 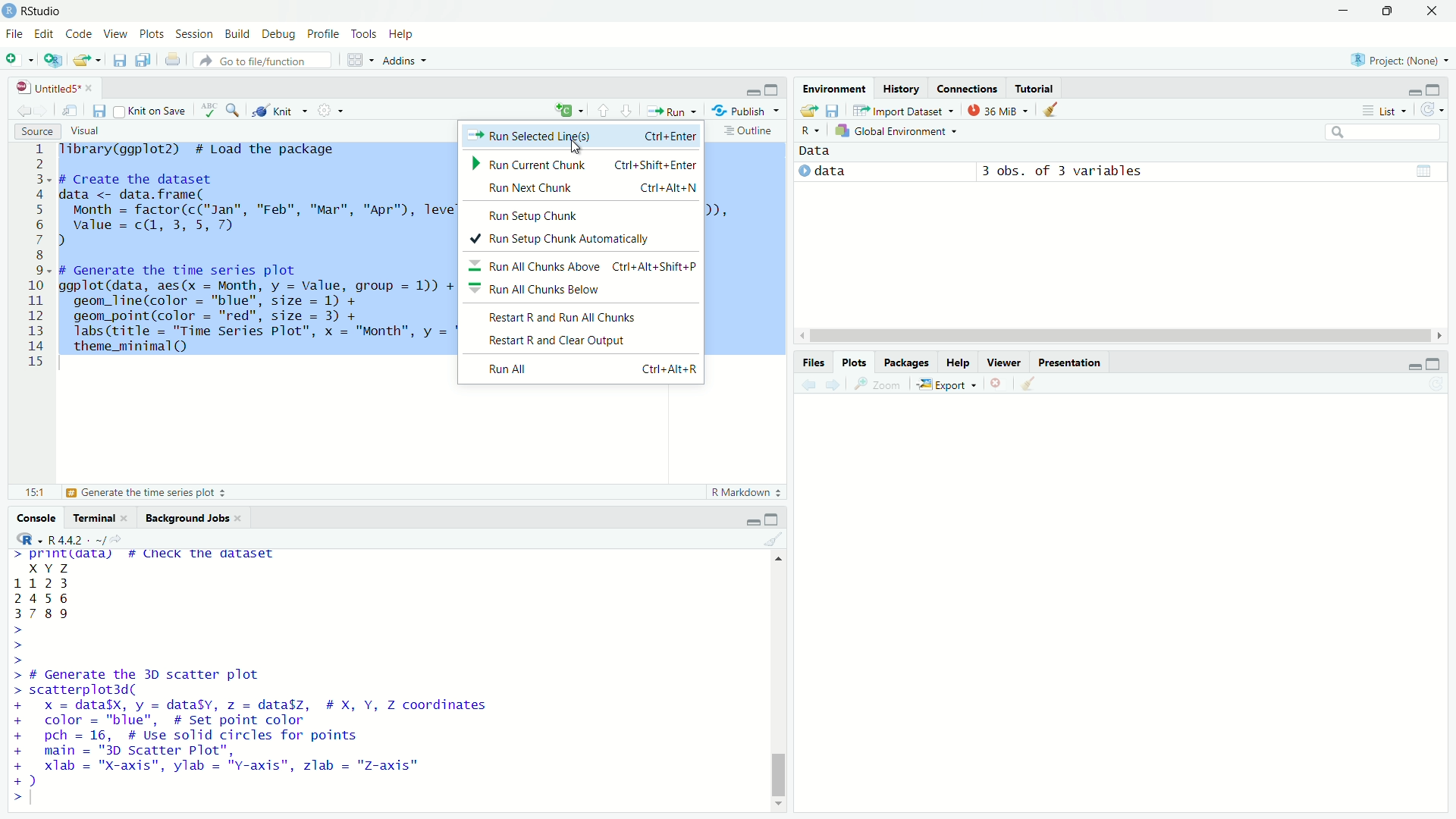 What do you see at coordinates (88, 58) in the screenshot?
I see `open an existing file` at bounding box center [88, 58].